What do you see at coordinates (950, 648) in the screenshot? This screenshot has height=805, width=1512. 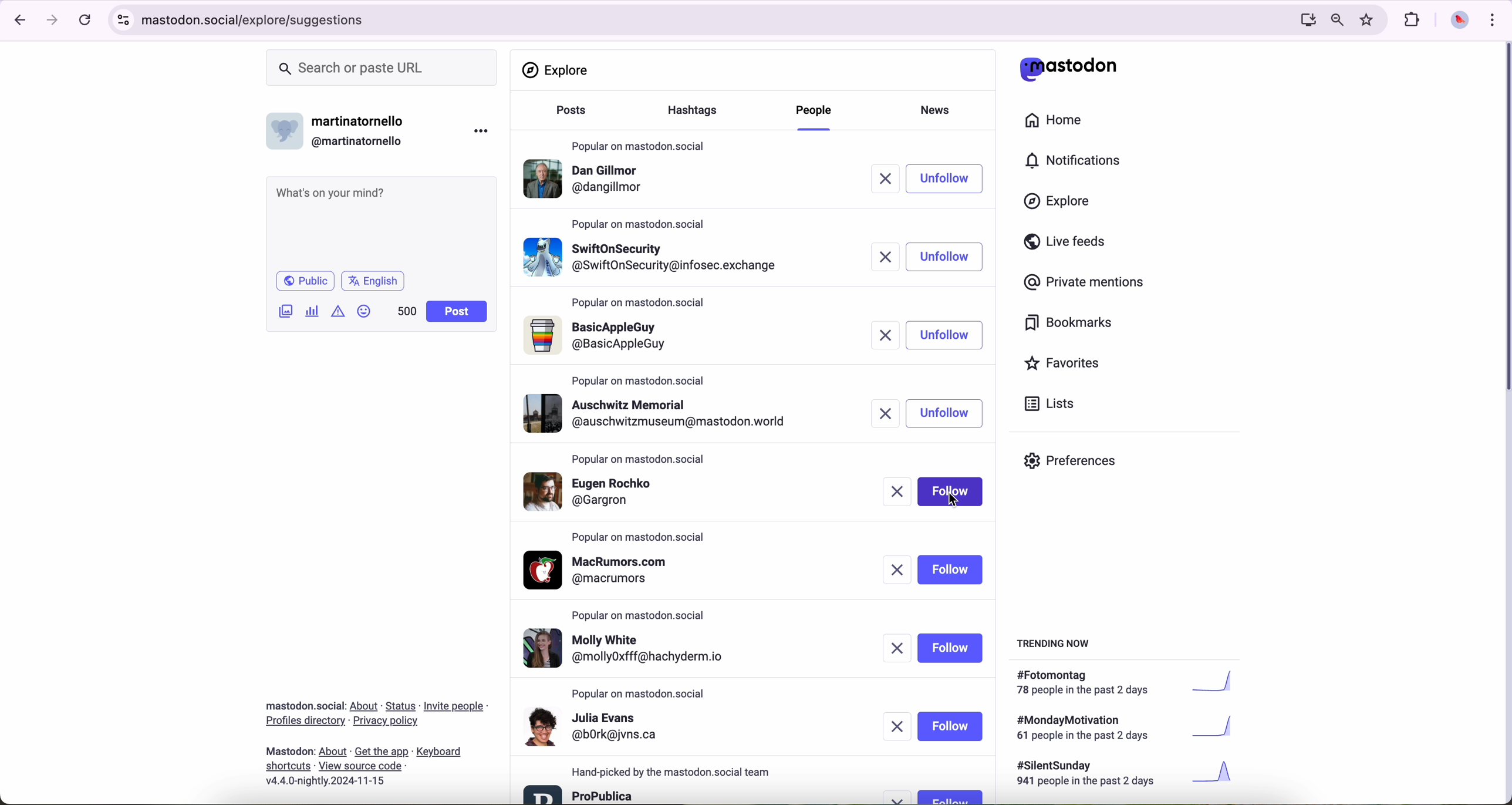 I see `follow button` at bounding box center [950, 648].